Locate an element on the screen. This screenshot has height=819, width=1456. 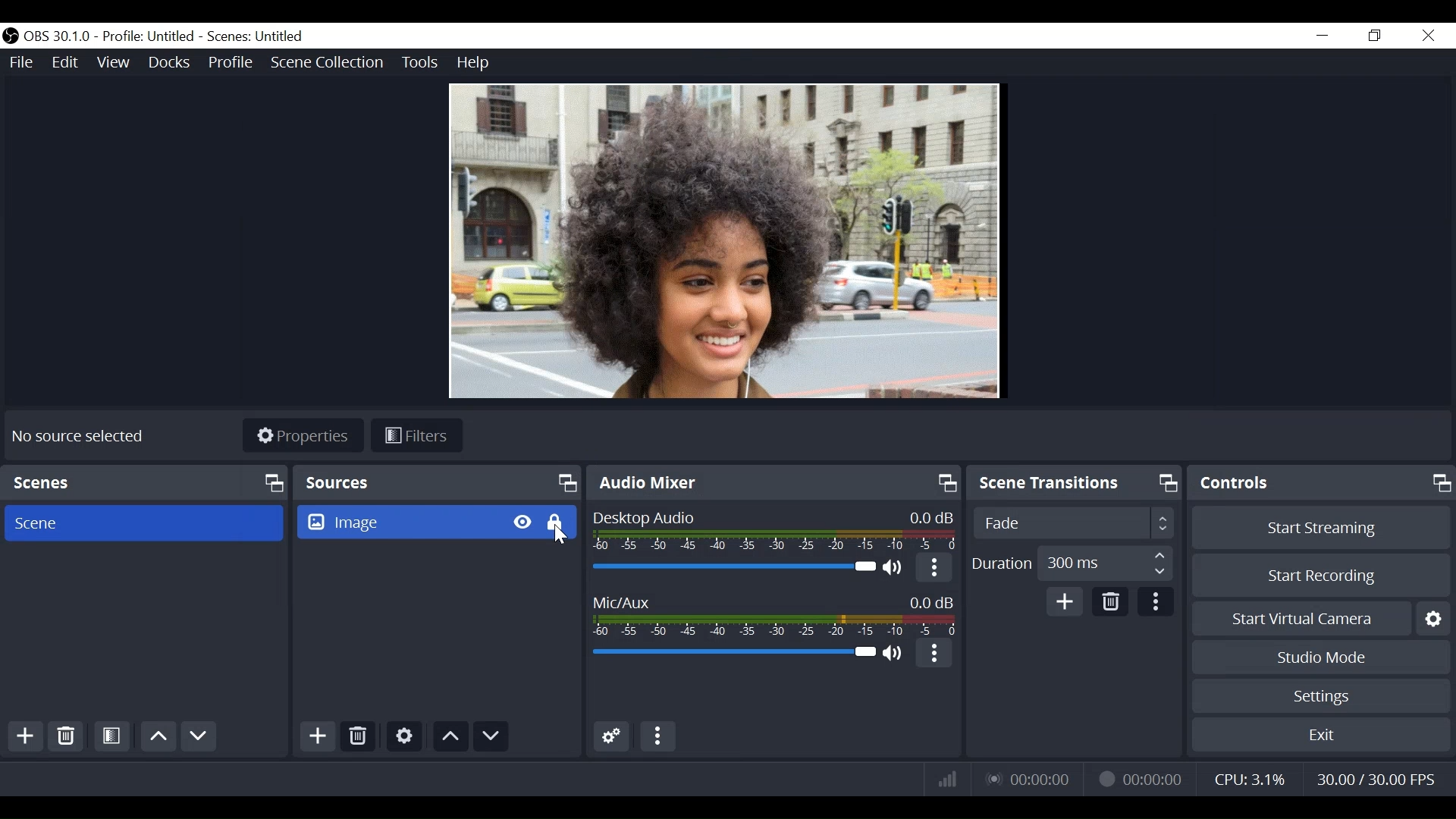
Profile is located at coordinates (231, 61).